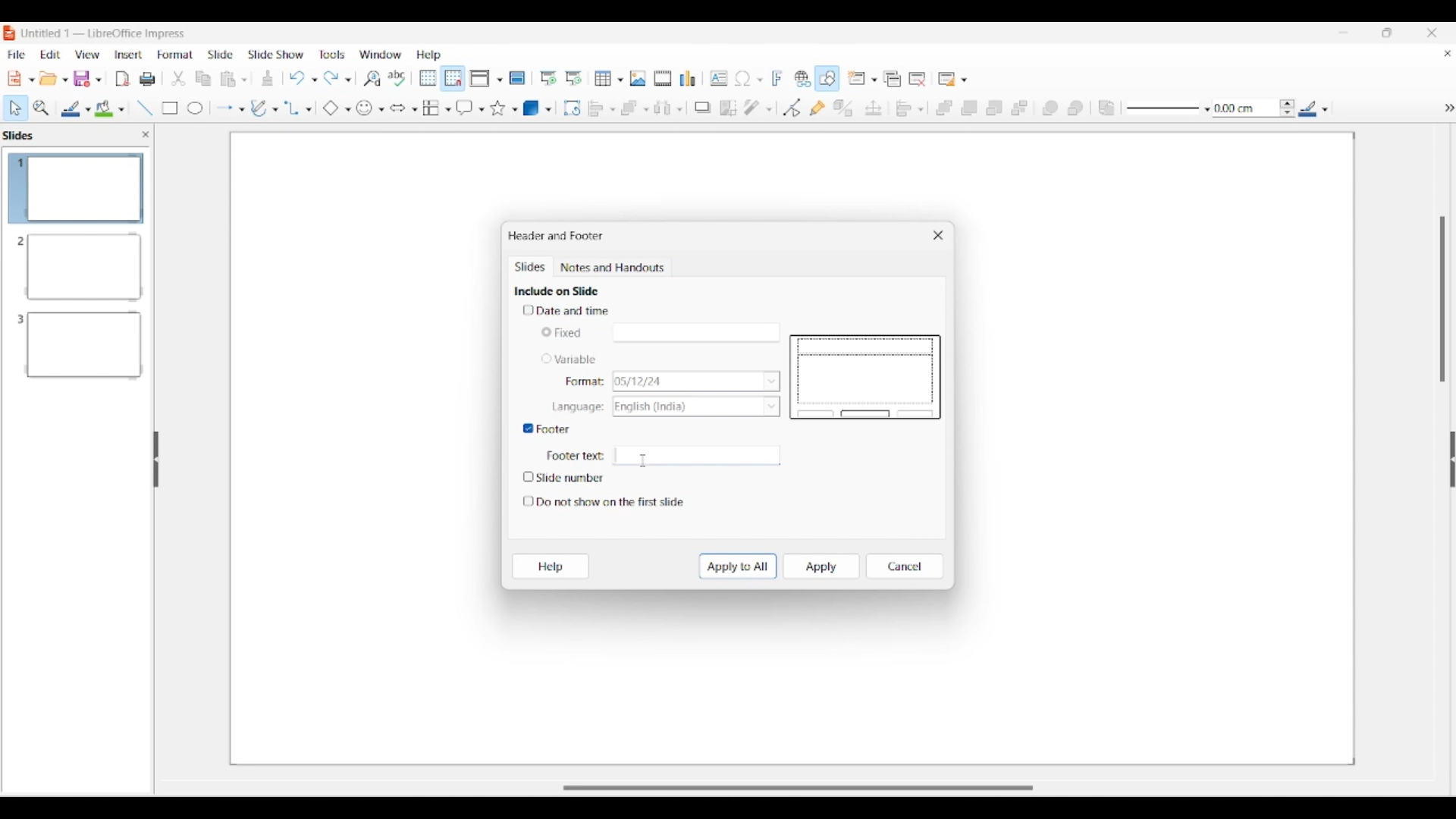 The height and width of the screenshot is (819, 1456). I want to click on Reverse, so click(1107, 108).